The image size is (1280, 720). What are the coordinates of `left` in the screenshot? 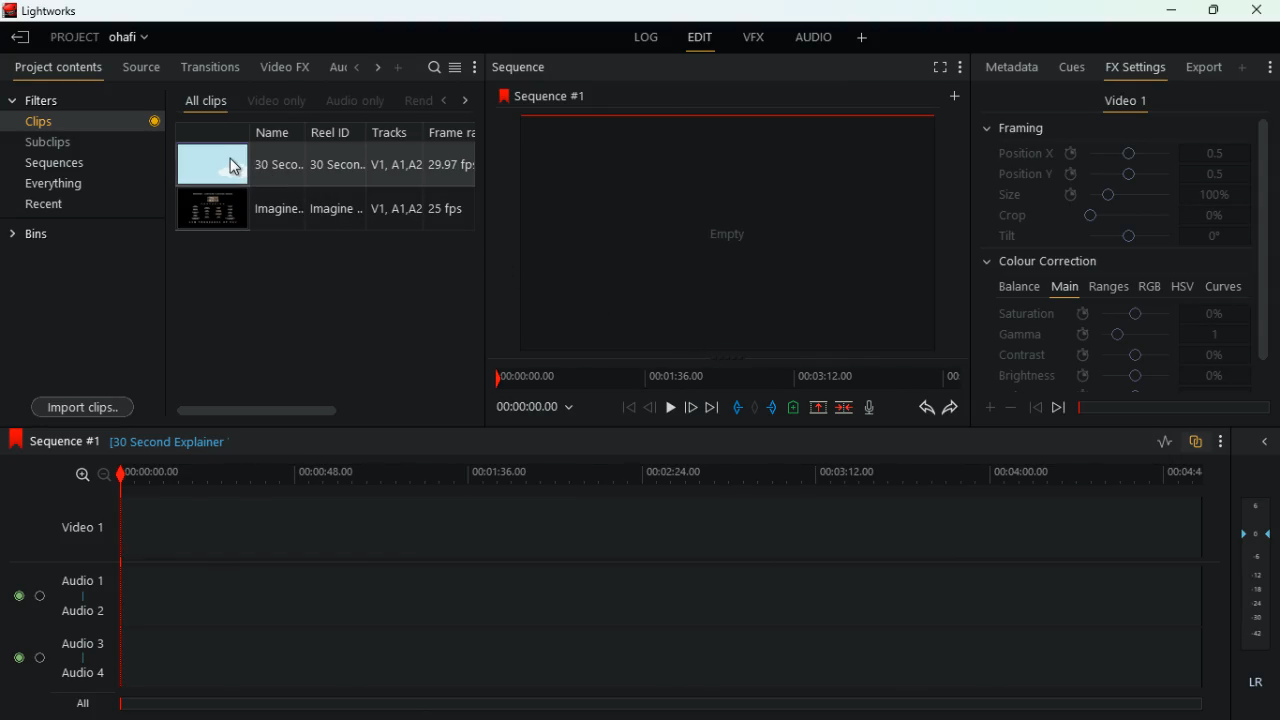 It's located at (448, 100).